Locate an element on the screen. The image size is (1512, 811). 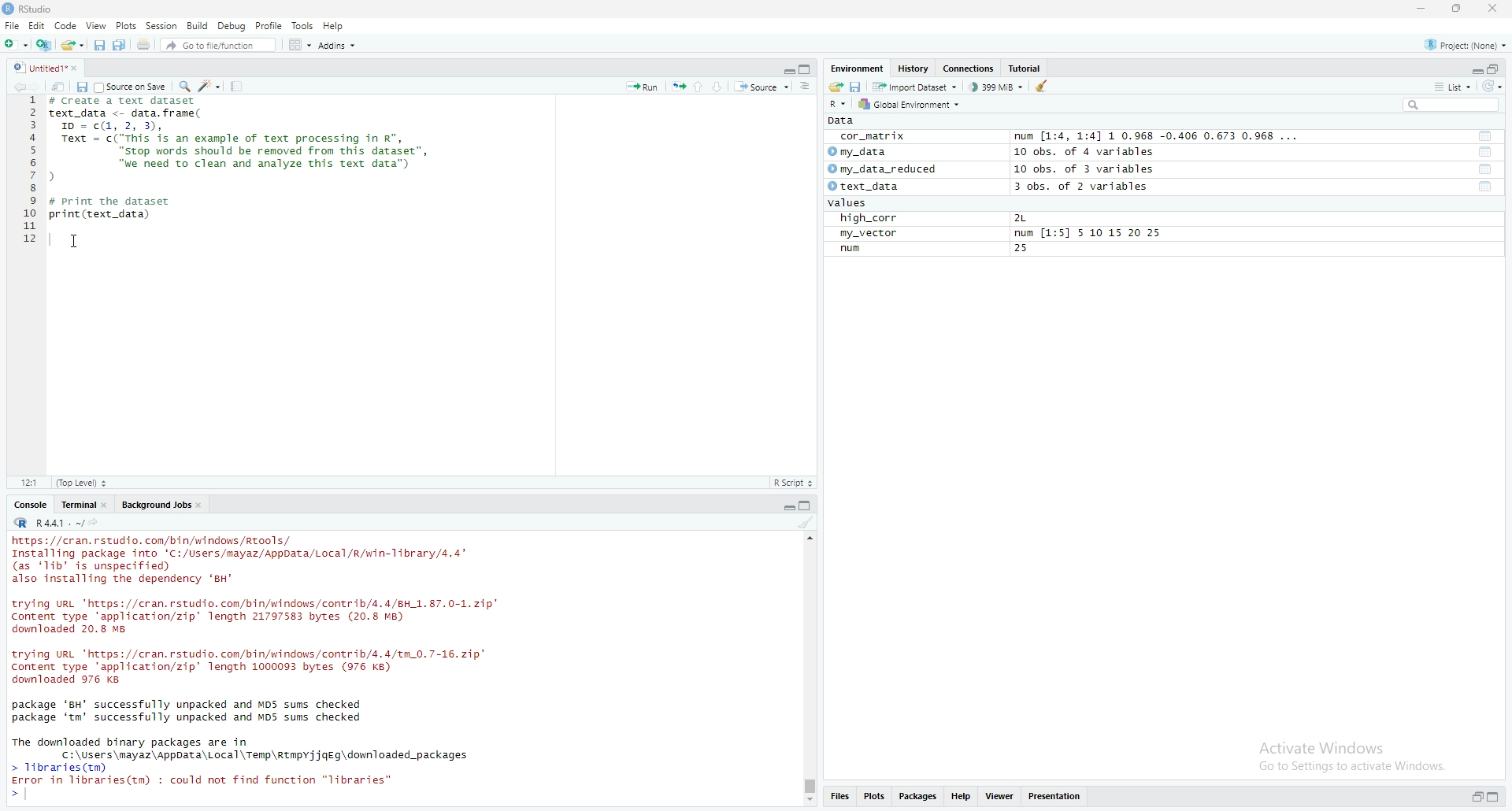
collapse is located at coordinates (807, 505).